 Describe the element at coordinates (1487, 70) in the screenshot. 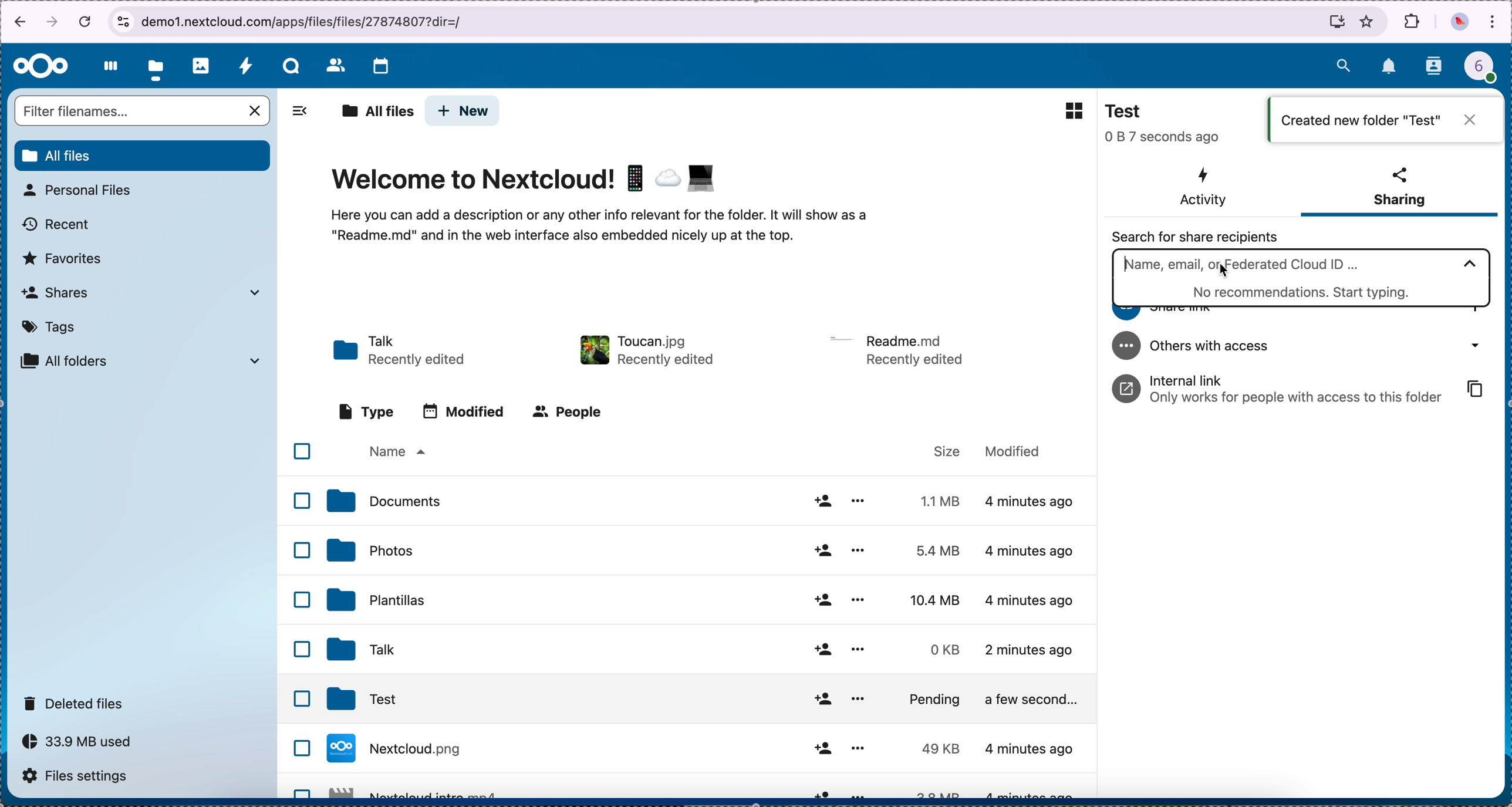

I see `profile` at that location.